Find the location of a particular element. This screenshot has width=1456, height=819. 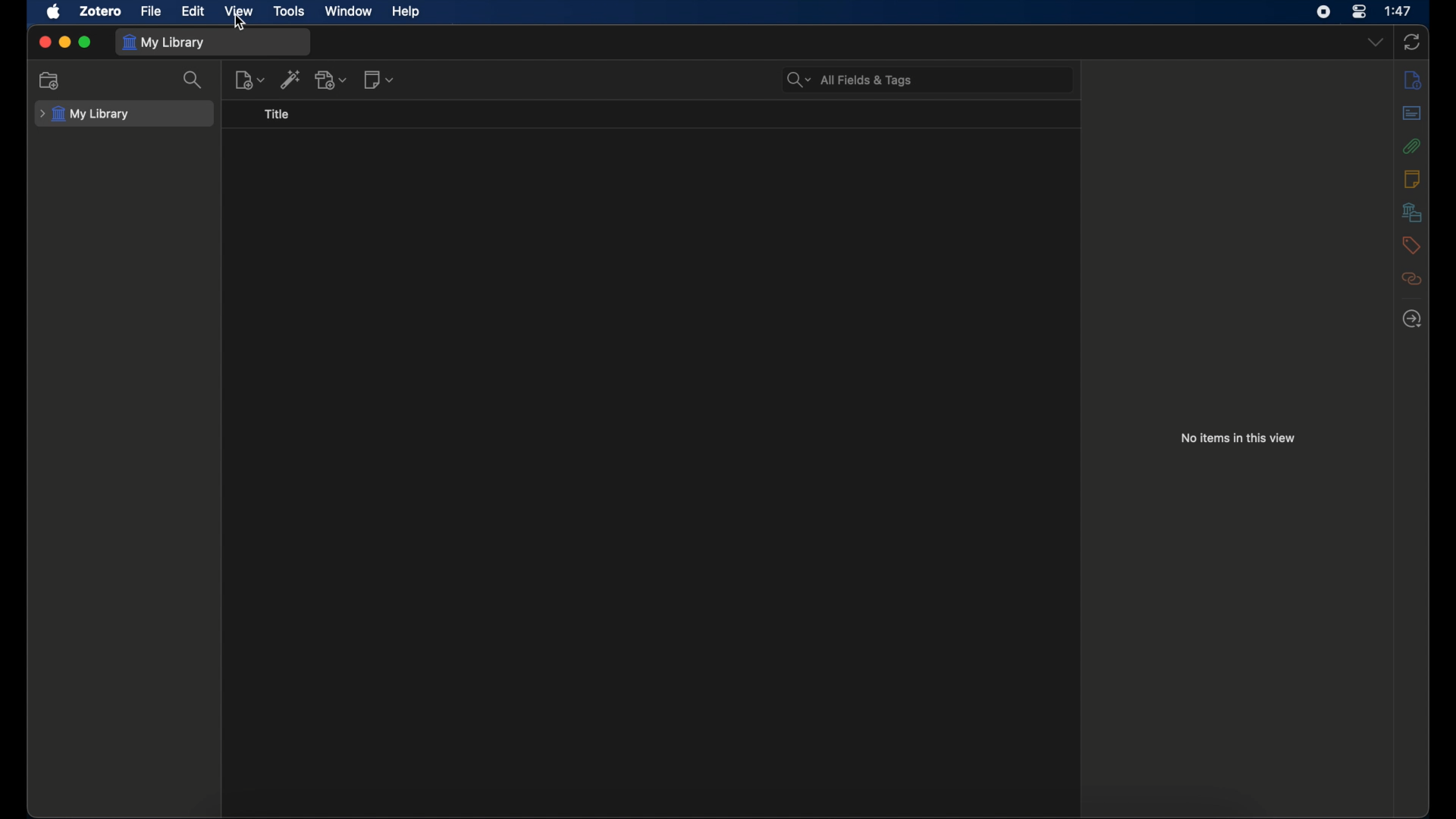

All fields & tags is located at coordinates (849, 80).